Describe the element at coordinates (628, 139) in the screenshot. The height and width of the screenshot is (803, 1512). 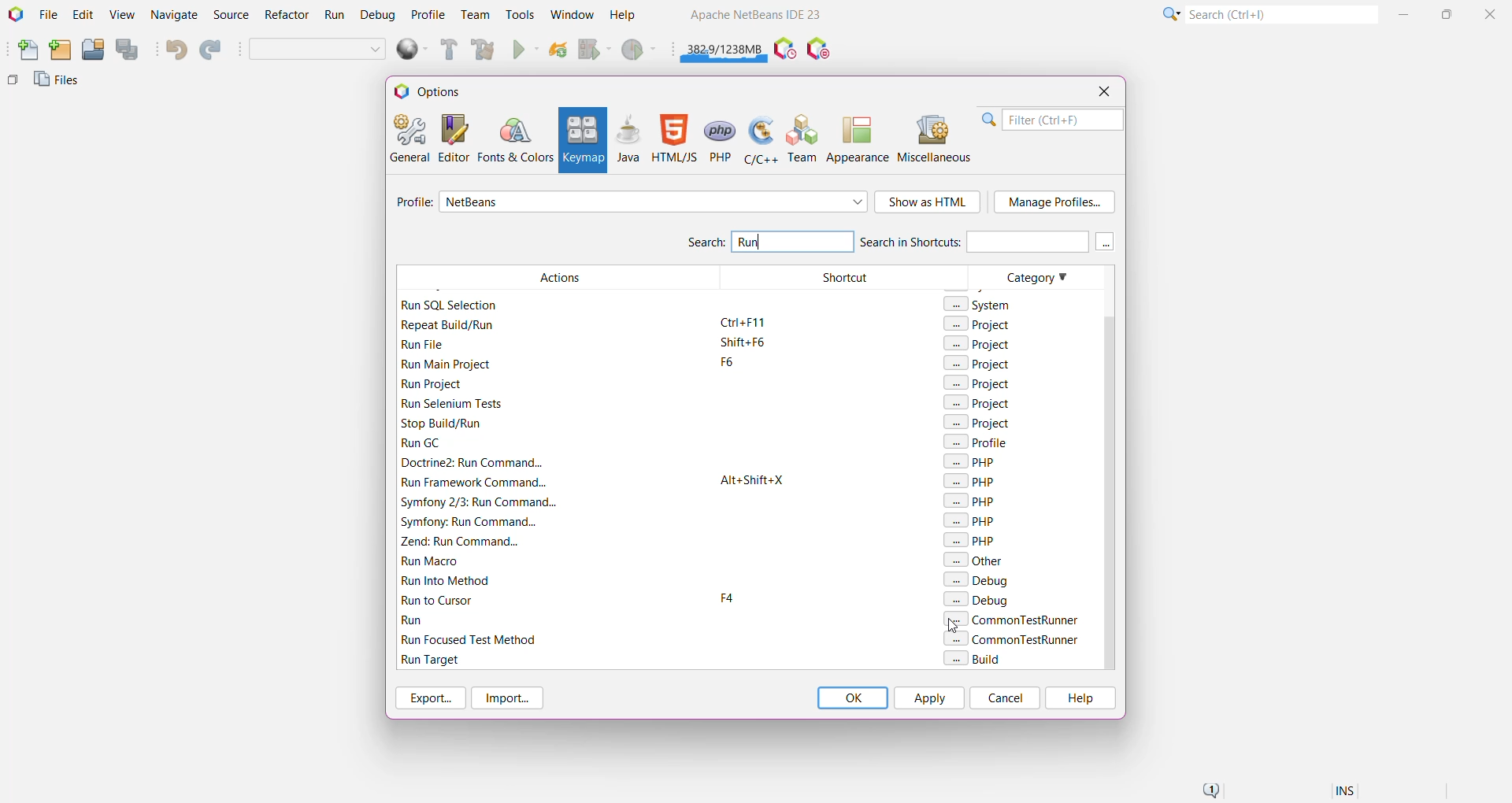
I see `Java` at that location.